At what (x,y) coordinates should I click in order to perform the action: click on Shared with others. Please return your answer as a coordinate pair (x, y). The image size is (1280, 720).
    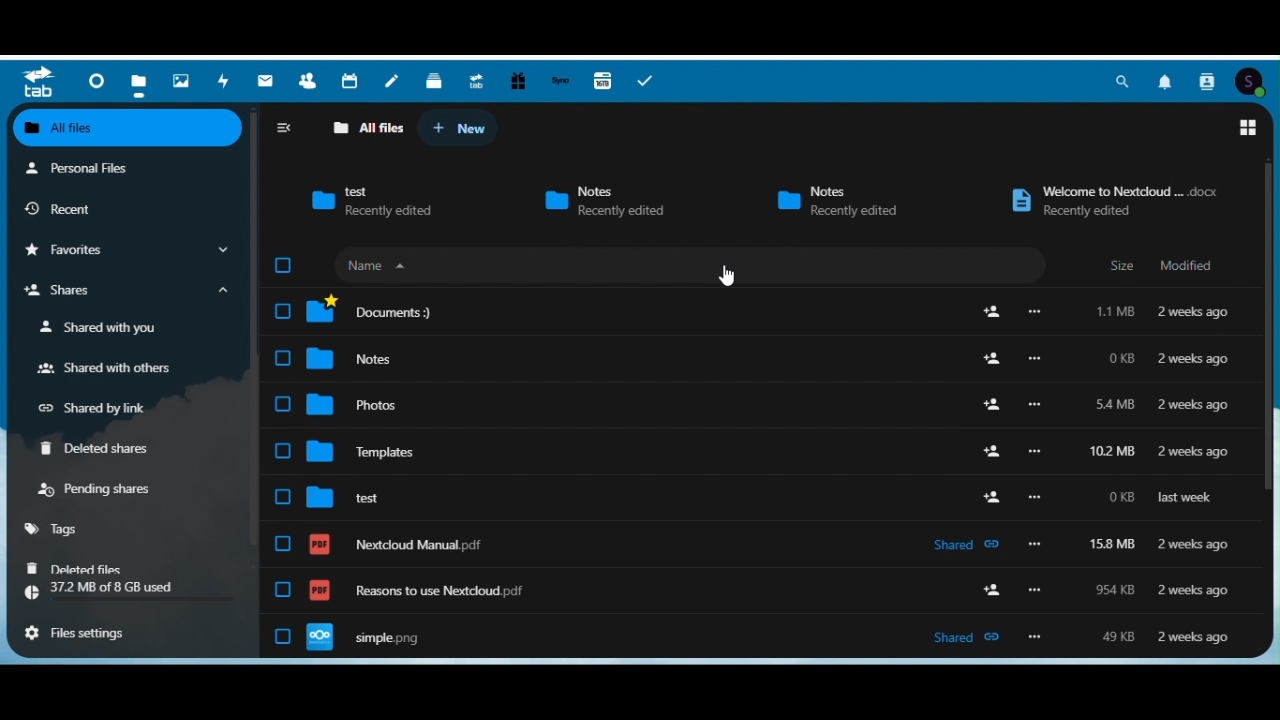
    Looking at the image, I should click on (112, 368).